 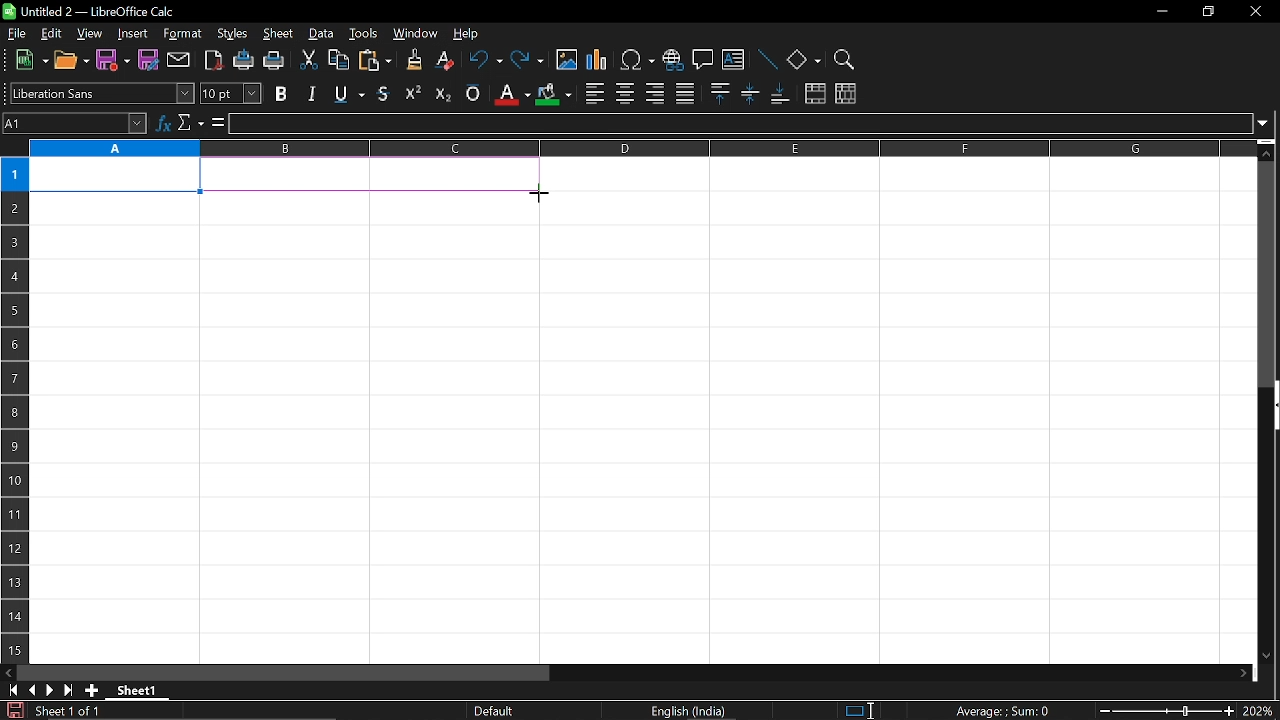 What do you see at coordinates (10, 691) in the screenshot?
I see `go to first page` at bounding box center [10, 691].